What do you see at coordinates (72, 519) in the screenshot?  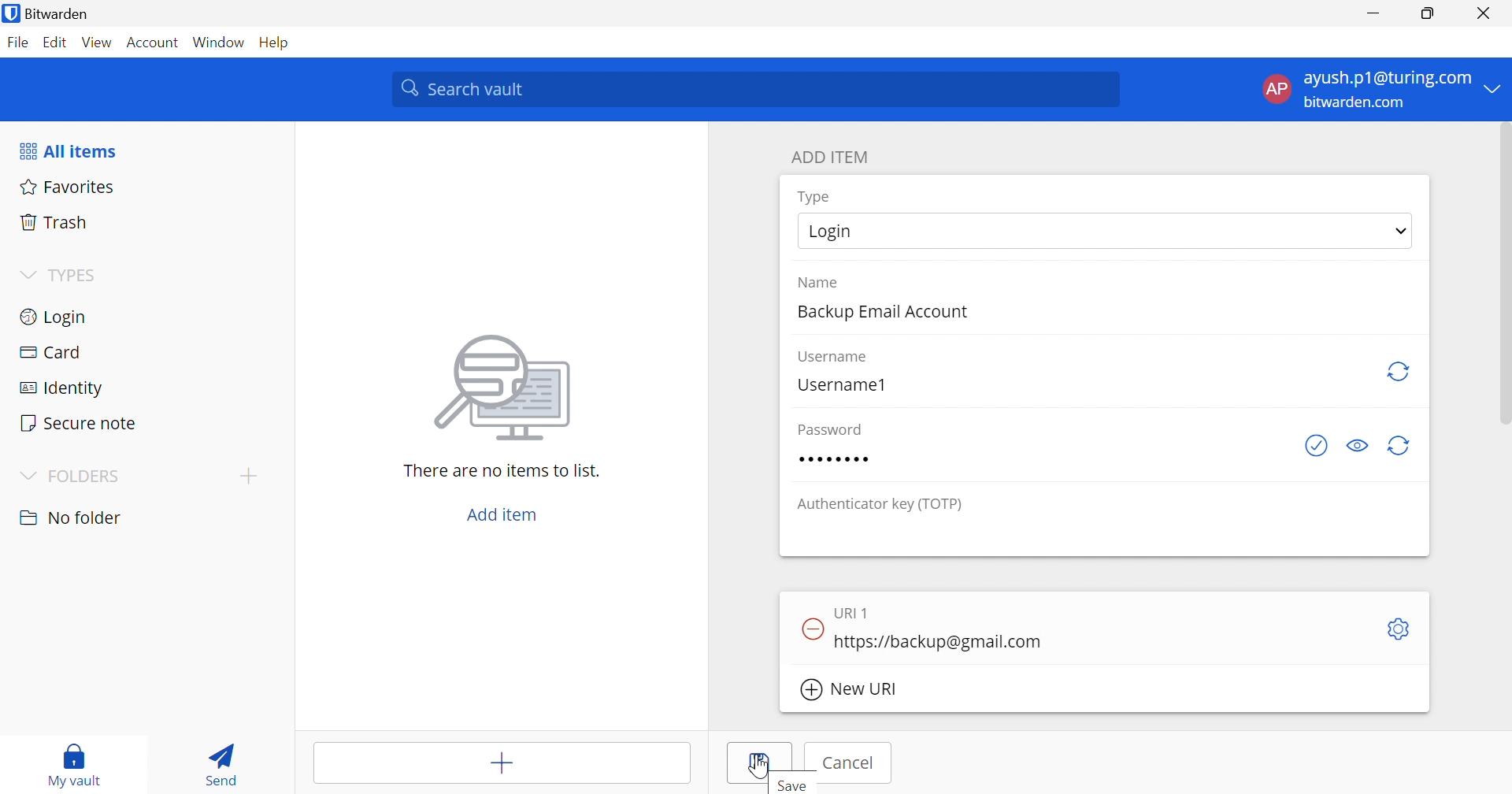 I see `No folder` at bounding box center [72, 519].